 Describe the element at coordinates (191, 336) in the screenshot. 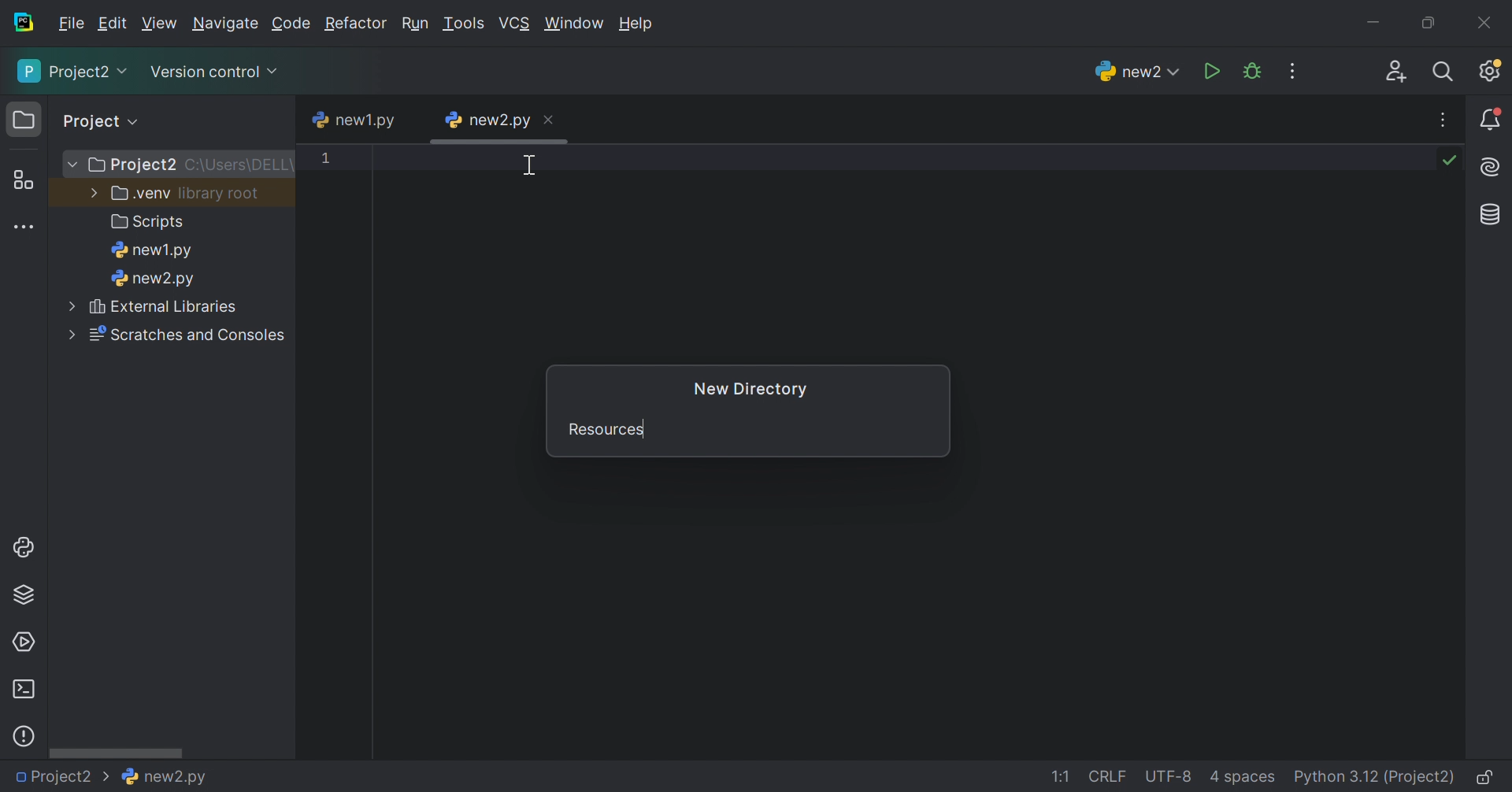

I see `Scratches and consoles` at that location.